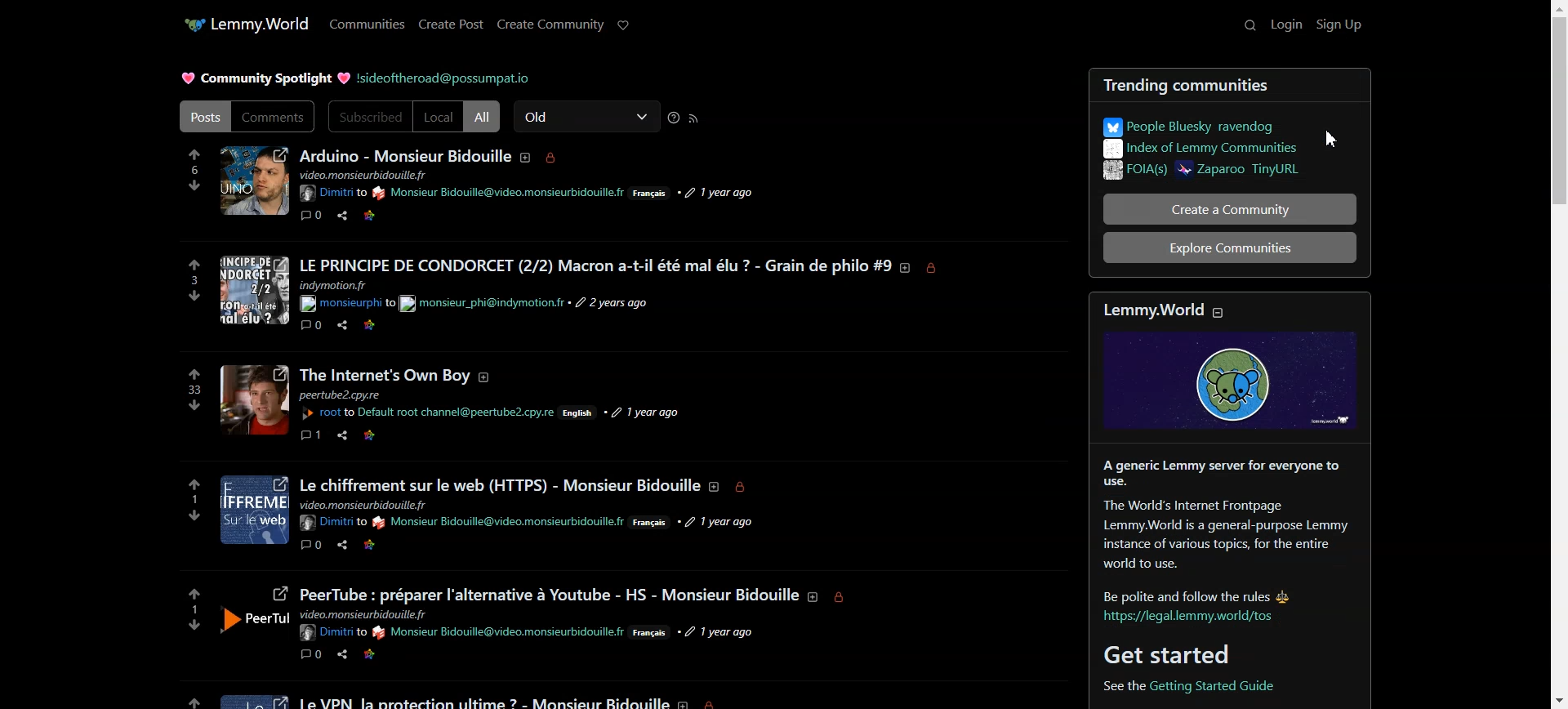 This screenshot has width=1568, height=709. Describe the element at coordinates (748, 489) in the screenshot. I see `locked` at that location.